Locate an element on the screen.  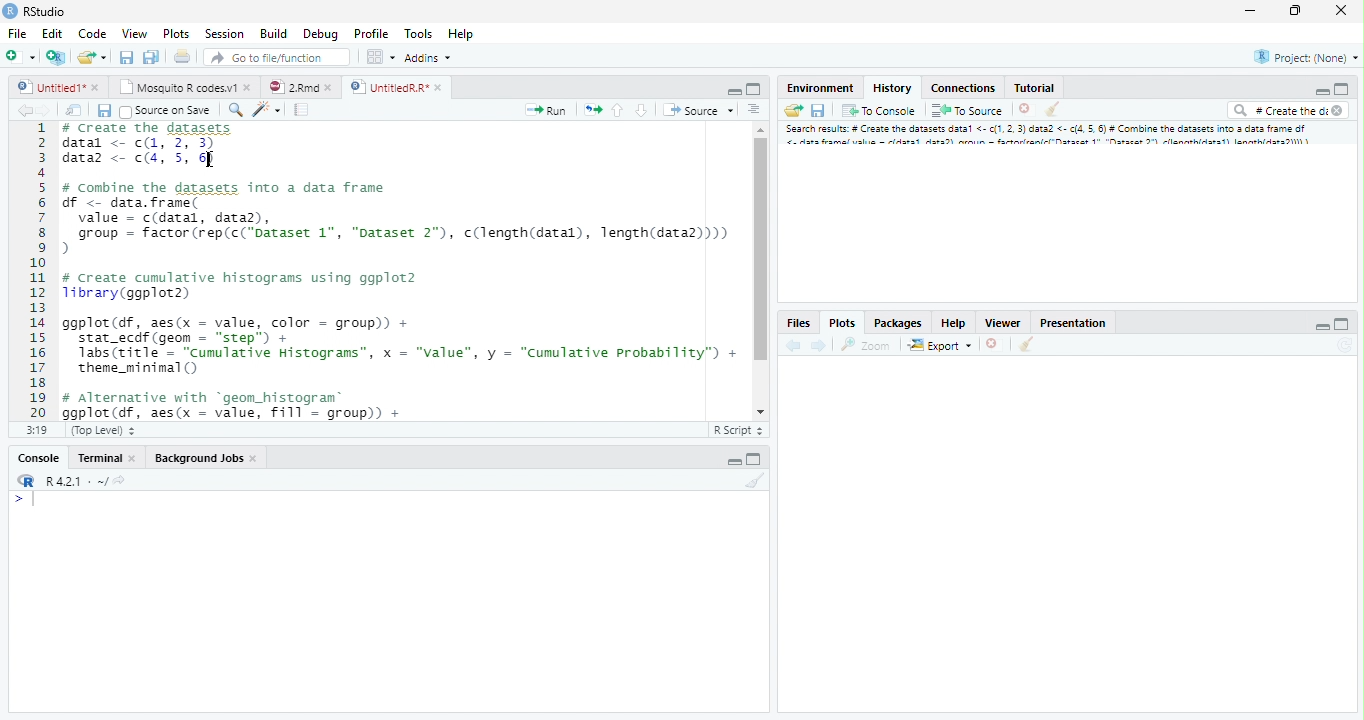
Maximize is located at coordinates (1340, 90).